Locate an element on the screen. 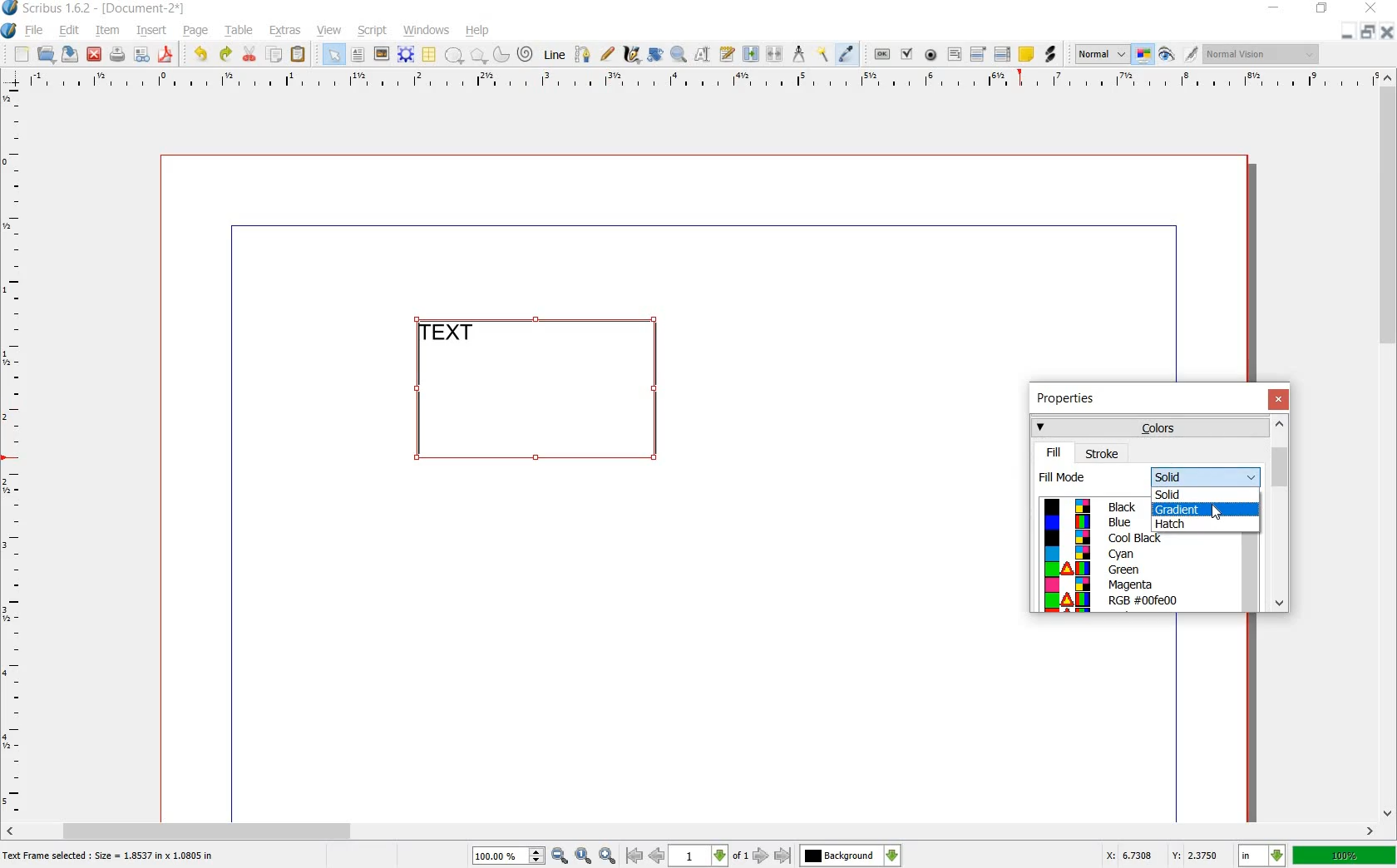  help is located at coordinates (478, 31).